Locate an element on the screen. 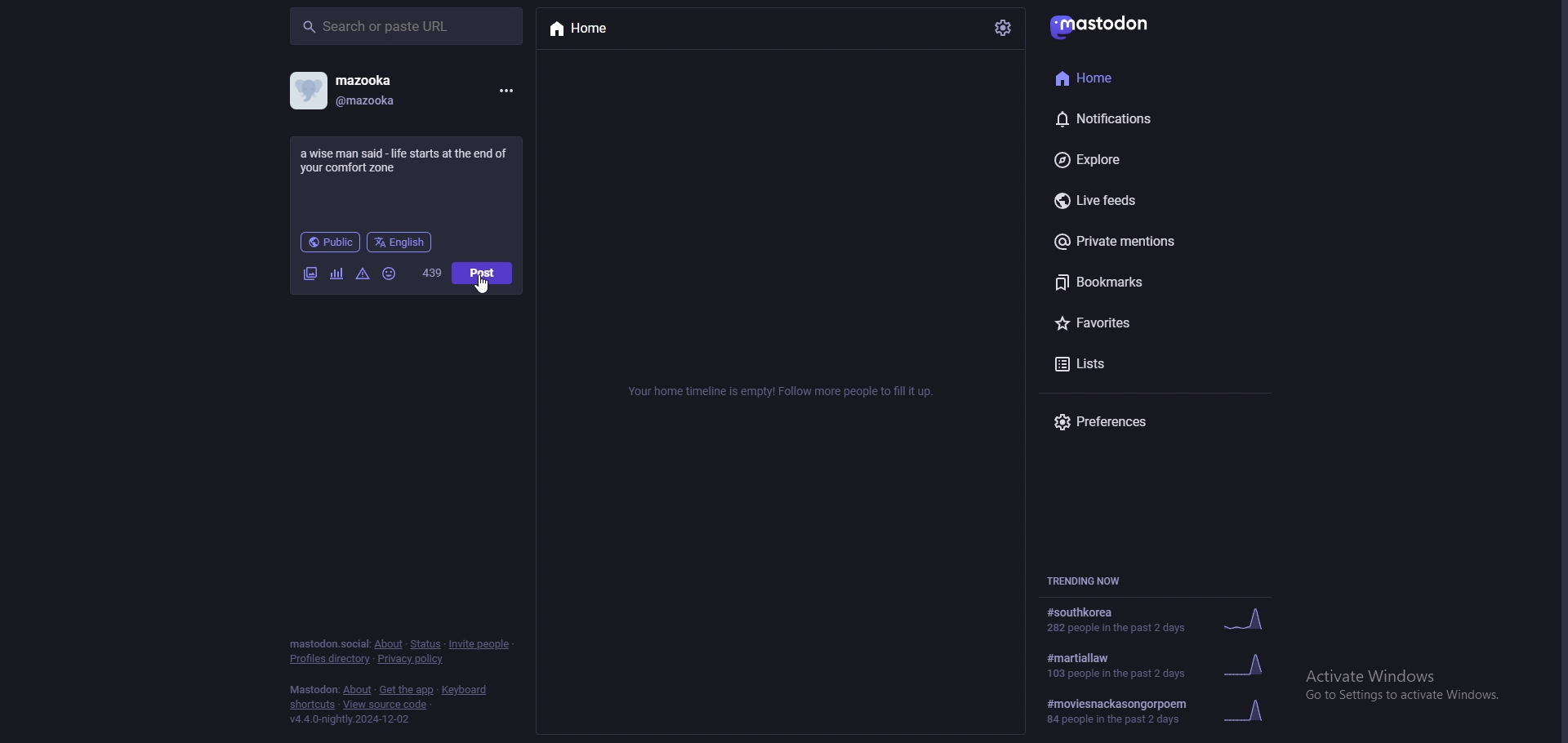  bookmarks is located at coordinates (1141, 283).